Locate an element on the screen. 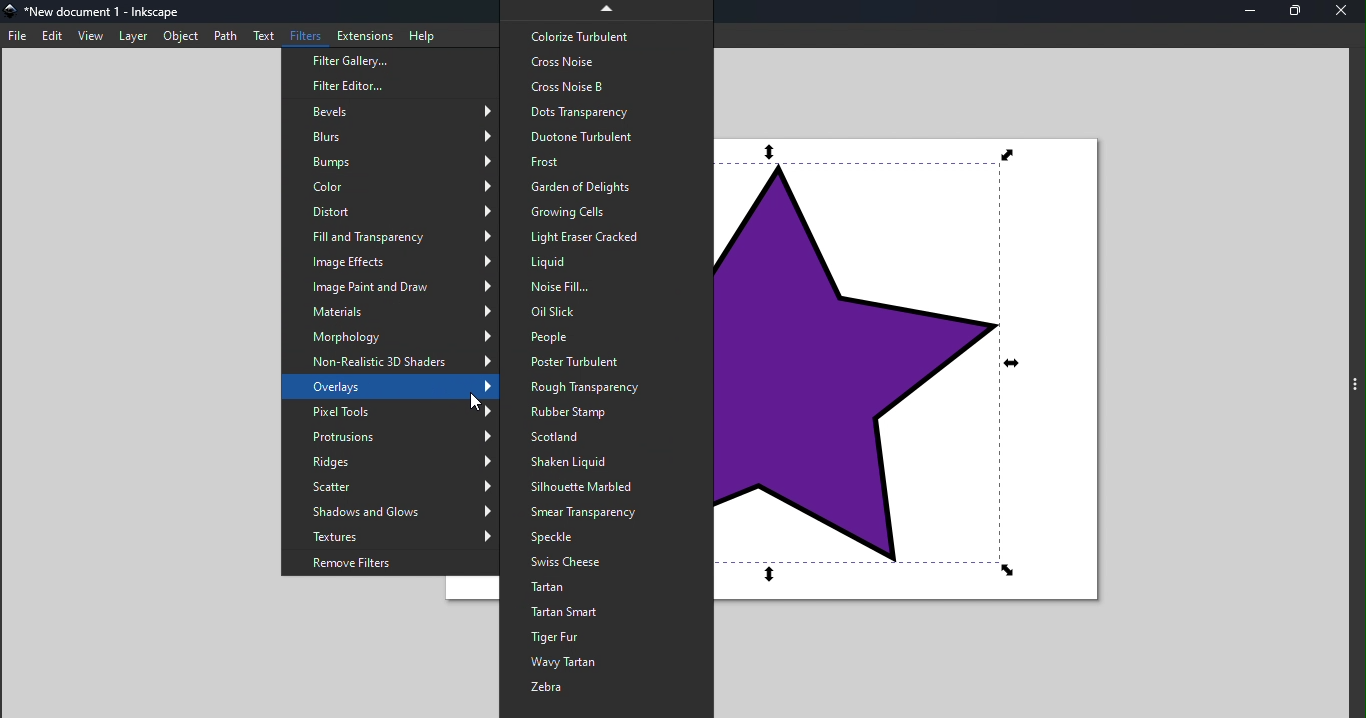 The image size is (1366, 718). Minimize is located at coordinates (1257, 13).